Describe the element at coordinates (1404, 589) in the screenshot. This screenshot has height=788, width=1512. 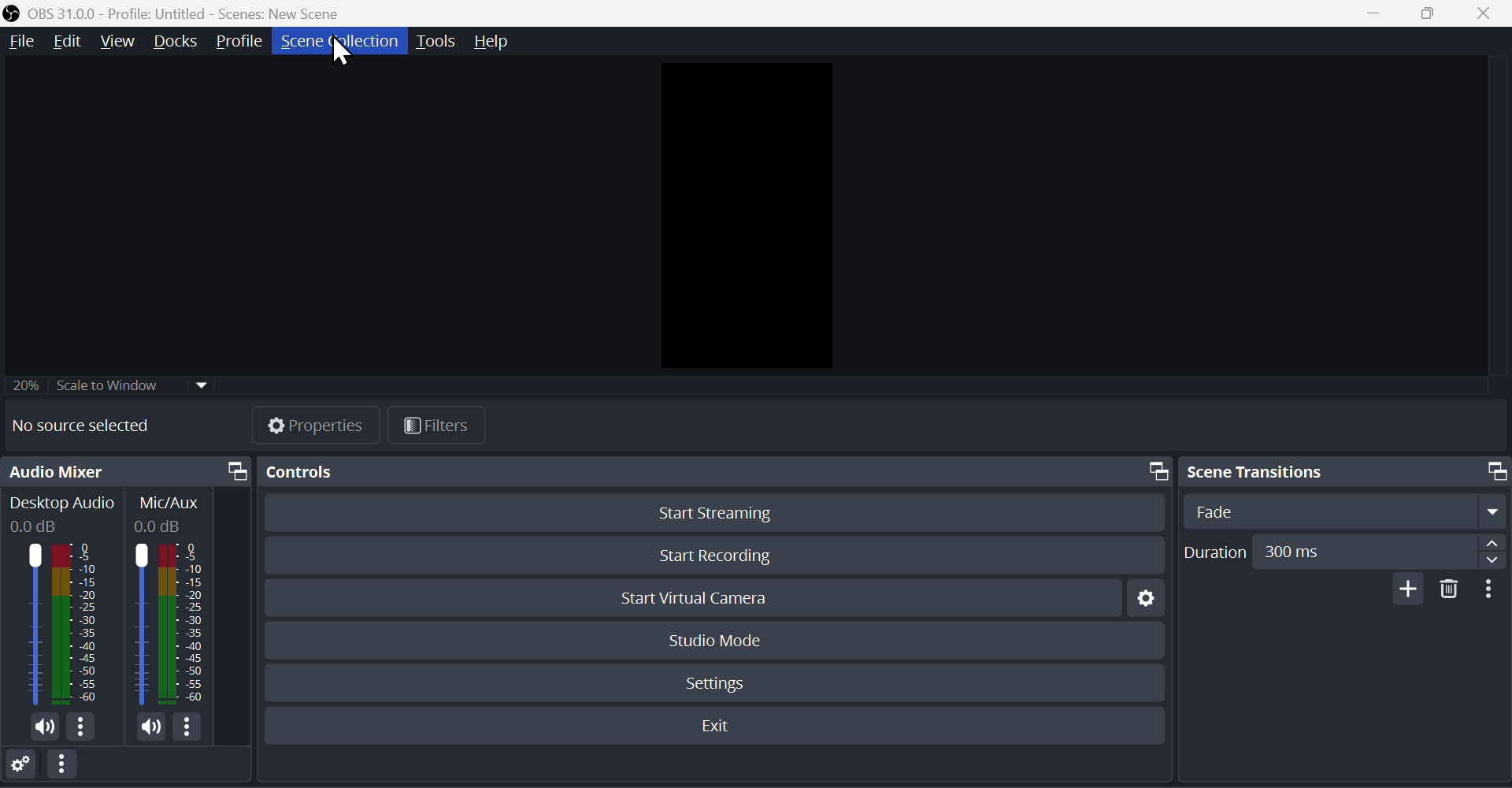
I see `Add` at that location.